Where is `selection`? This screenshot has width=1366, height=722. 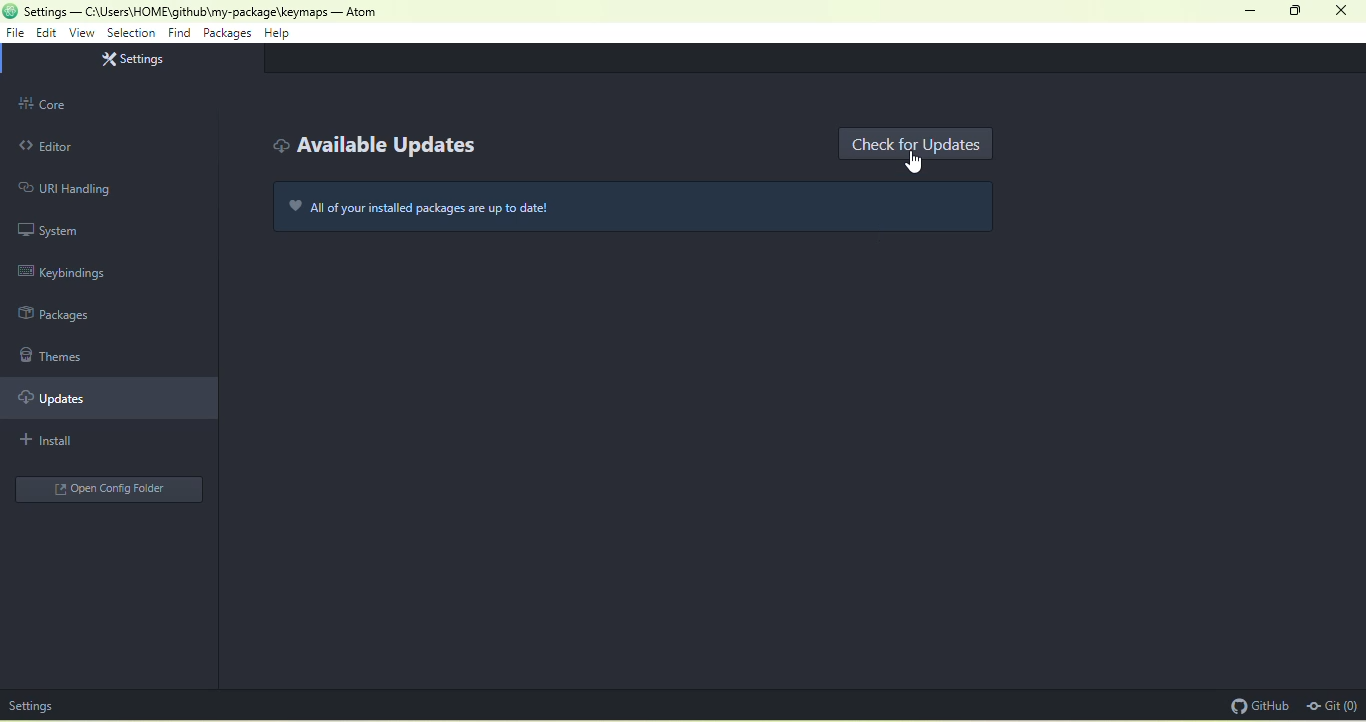 selection is located at coordinates (131, 33).